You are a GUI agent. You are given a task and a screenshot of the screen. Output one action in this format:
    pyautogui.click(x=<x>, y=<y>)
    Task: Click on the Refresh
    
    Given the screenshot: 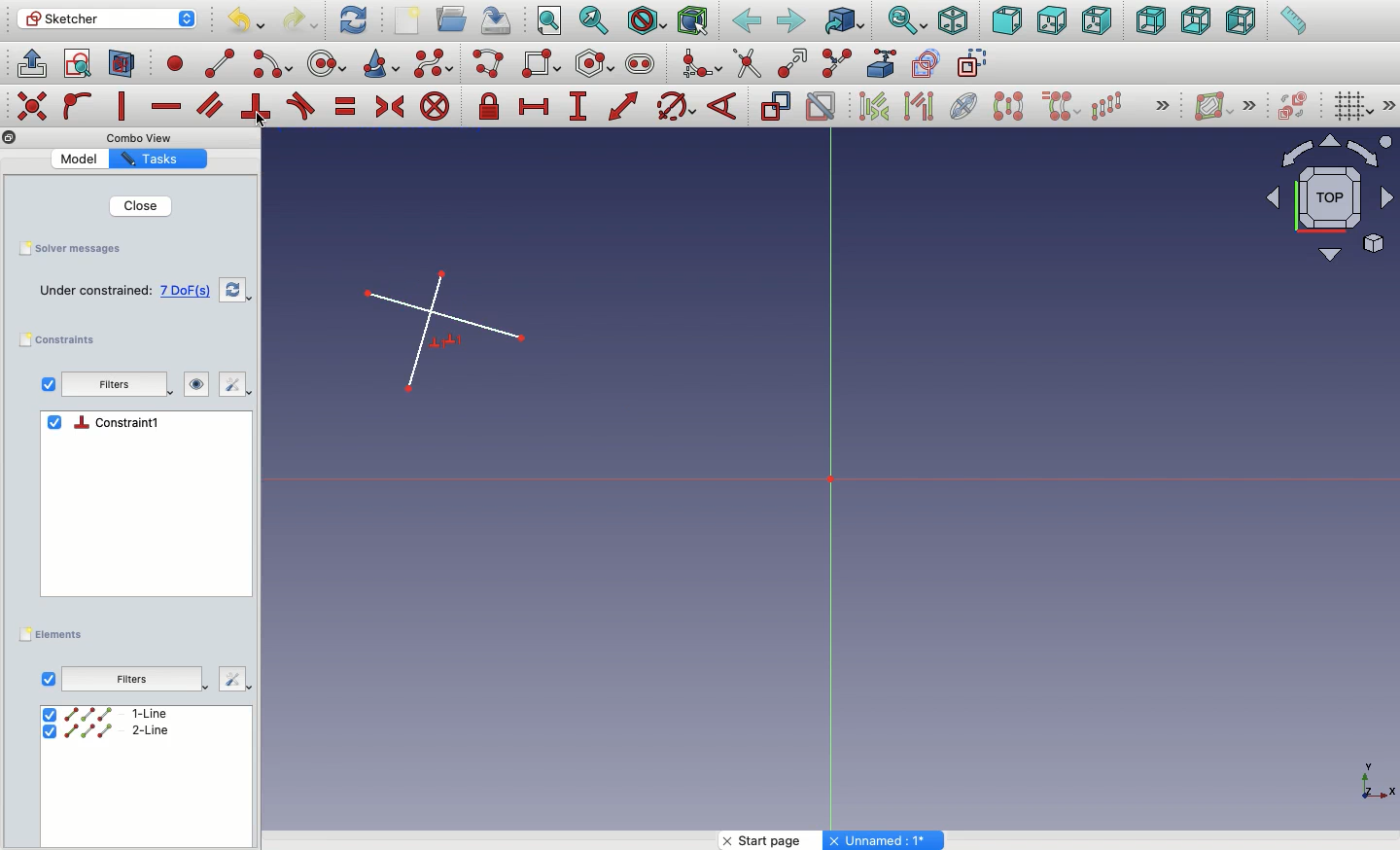 What is the action you would take?
    pyautogui.click(x=233, y=292)
    